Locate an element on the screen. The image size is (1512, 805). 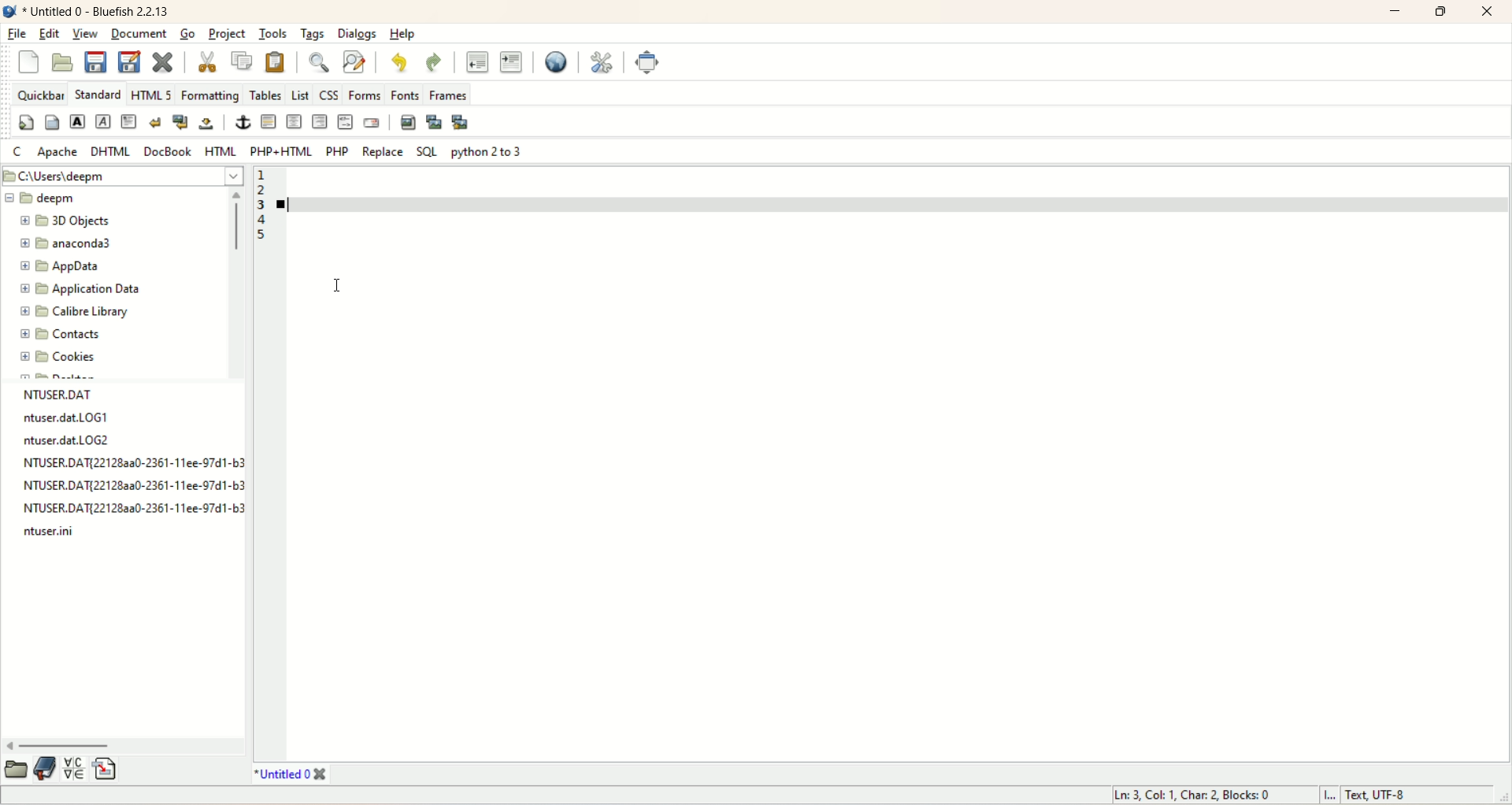
horizontal rule is located at coordinates (270, 124).